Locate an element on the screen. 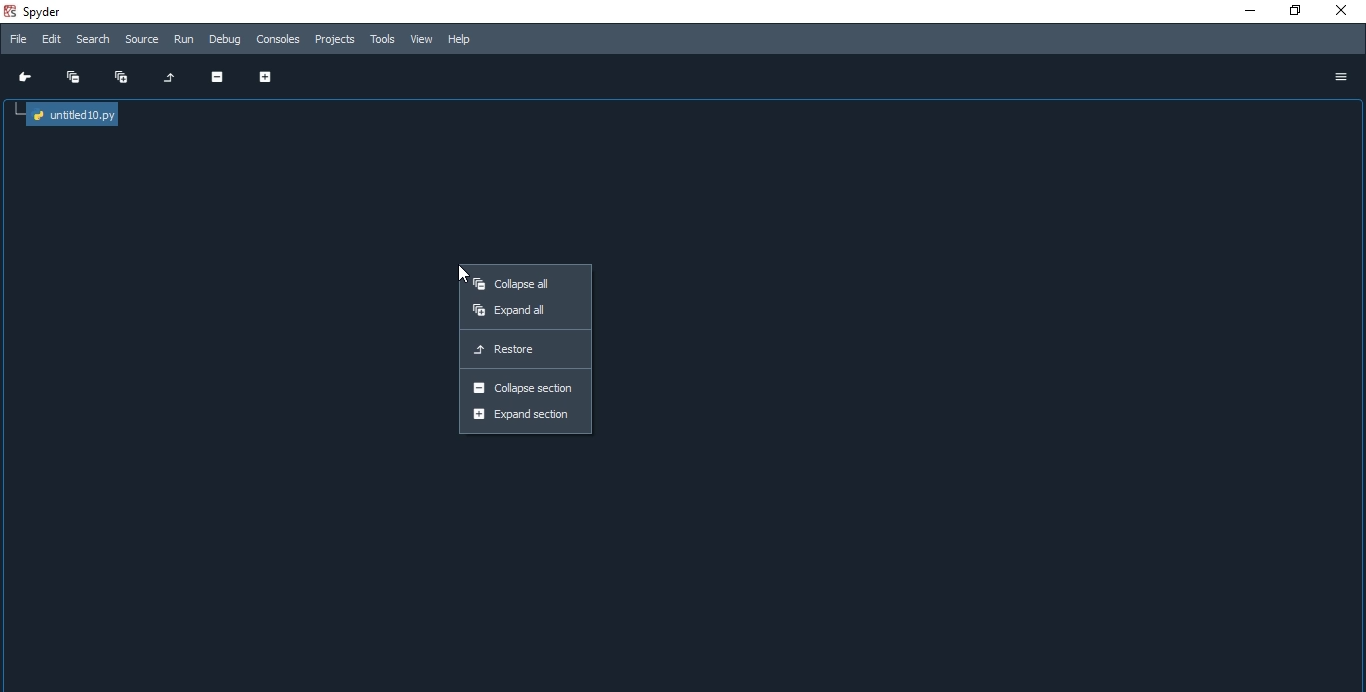 This screenshot has width=1366, height=692. Tools is located at coordinates (382, 39).